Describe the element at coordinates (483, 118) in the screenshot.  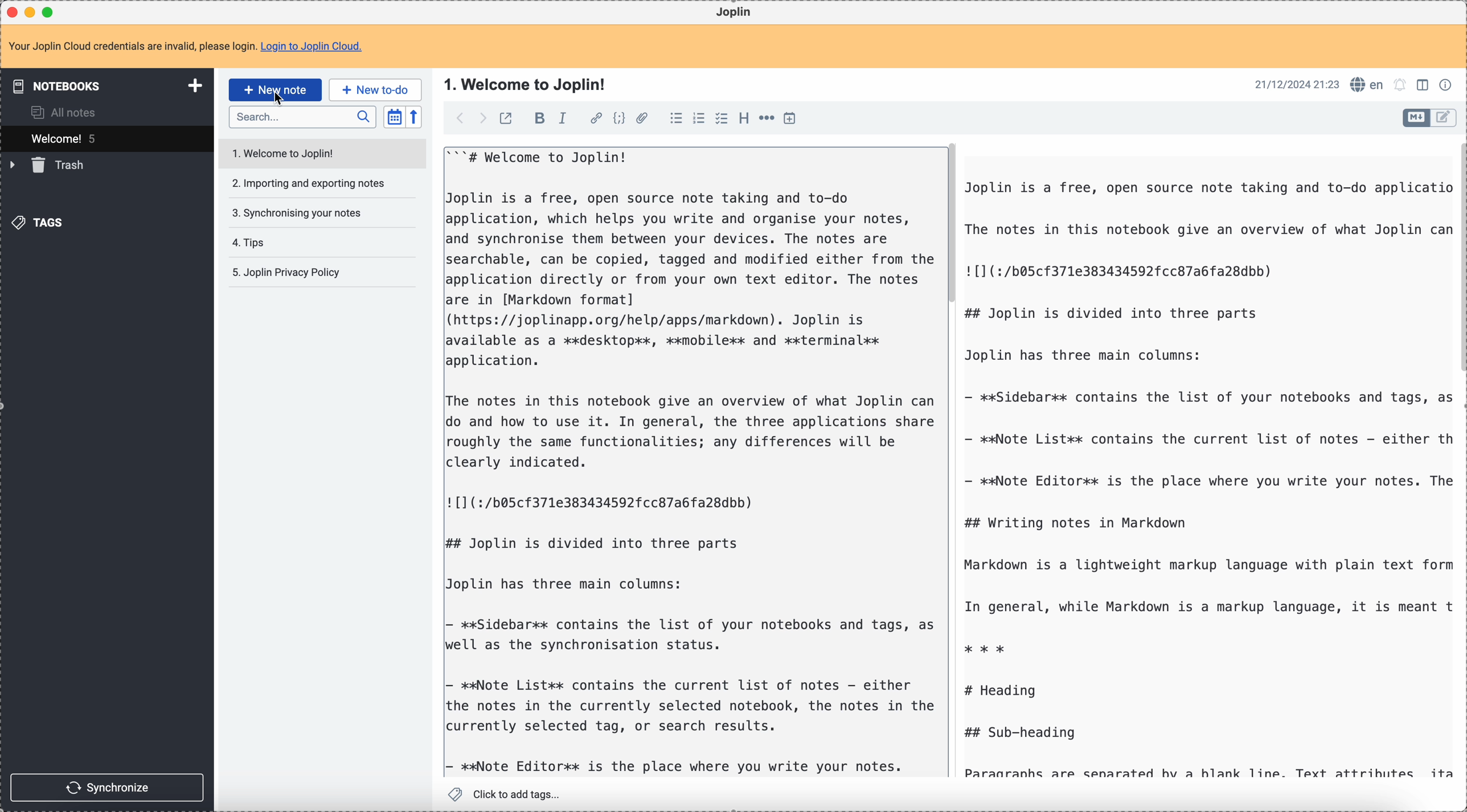
I see `foward` at that location.